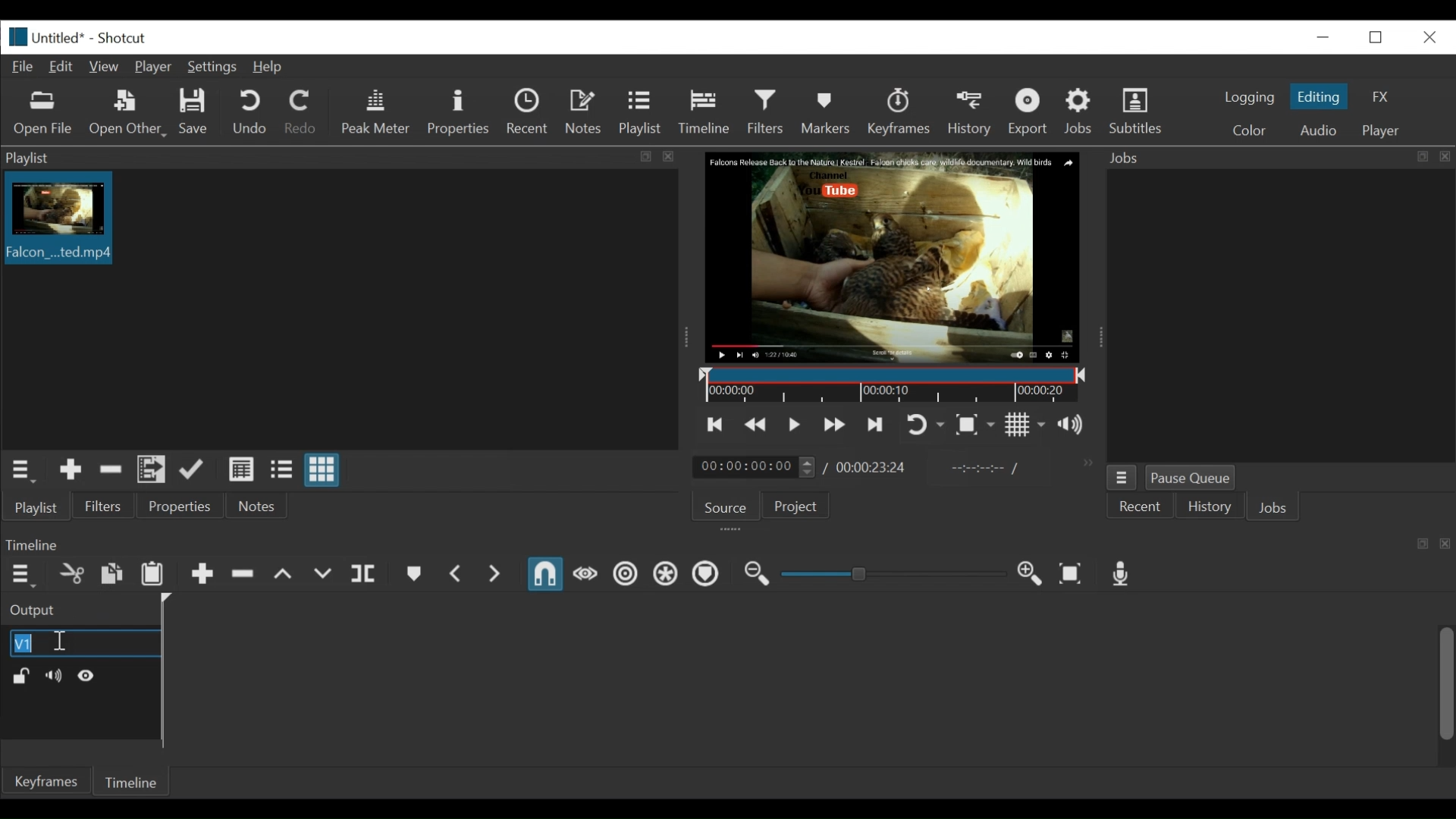 This screenshot has height=819, width=1456. Describe the element at coordinates (153, 576) in the screenshot. I see `Paste` at that location.